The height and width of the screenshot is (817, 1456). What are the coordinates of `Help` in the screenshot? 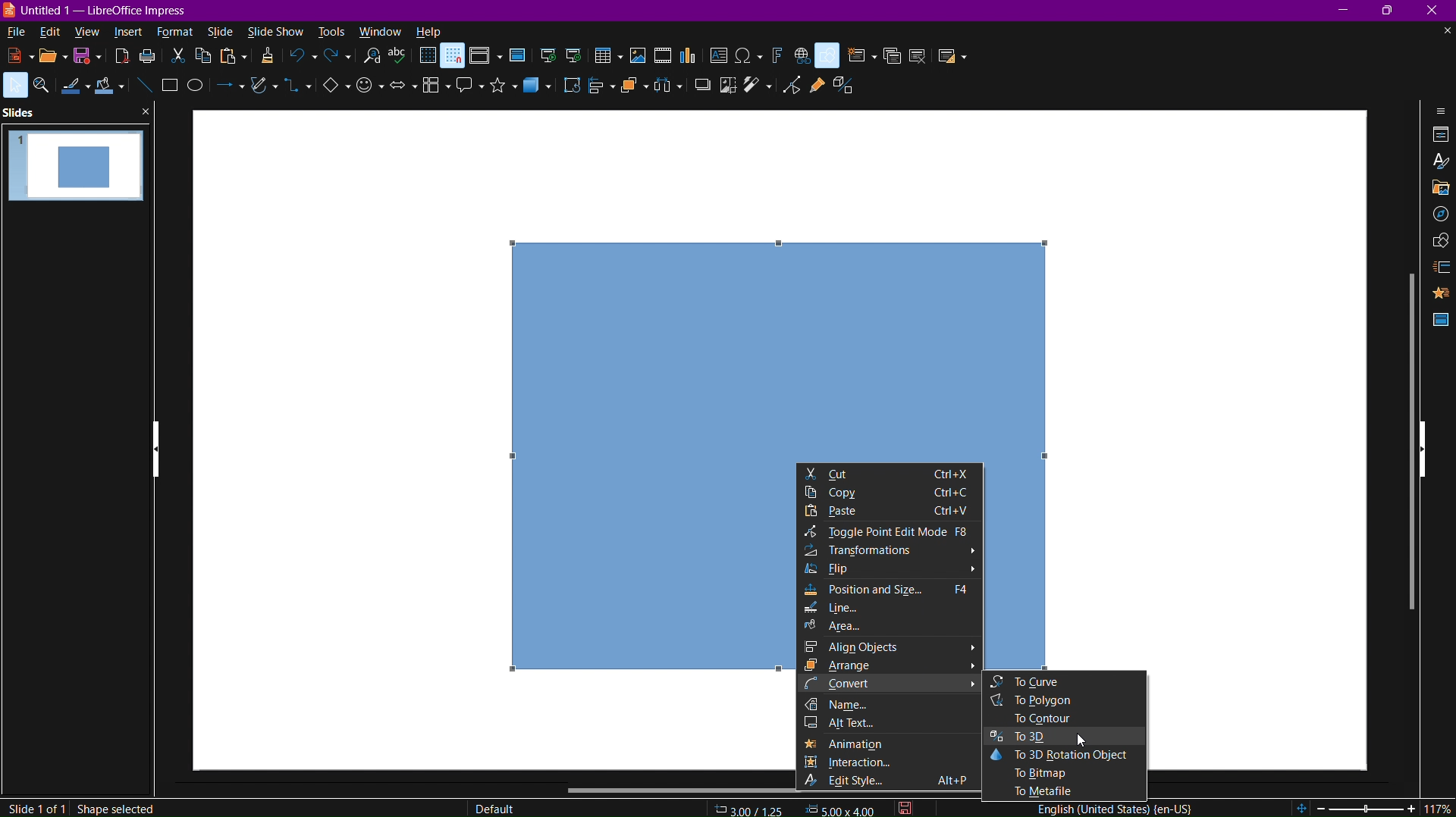 It's located at (429, 32).